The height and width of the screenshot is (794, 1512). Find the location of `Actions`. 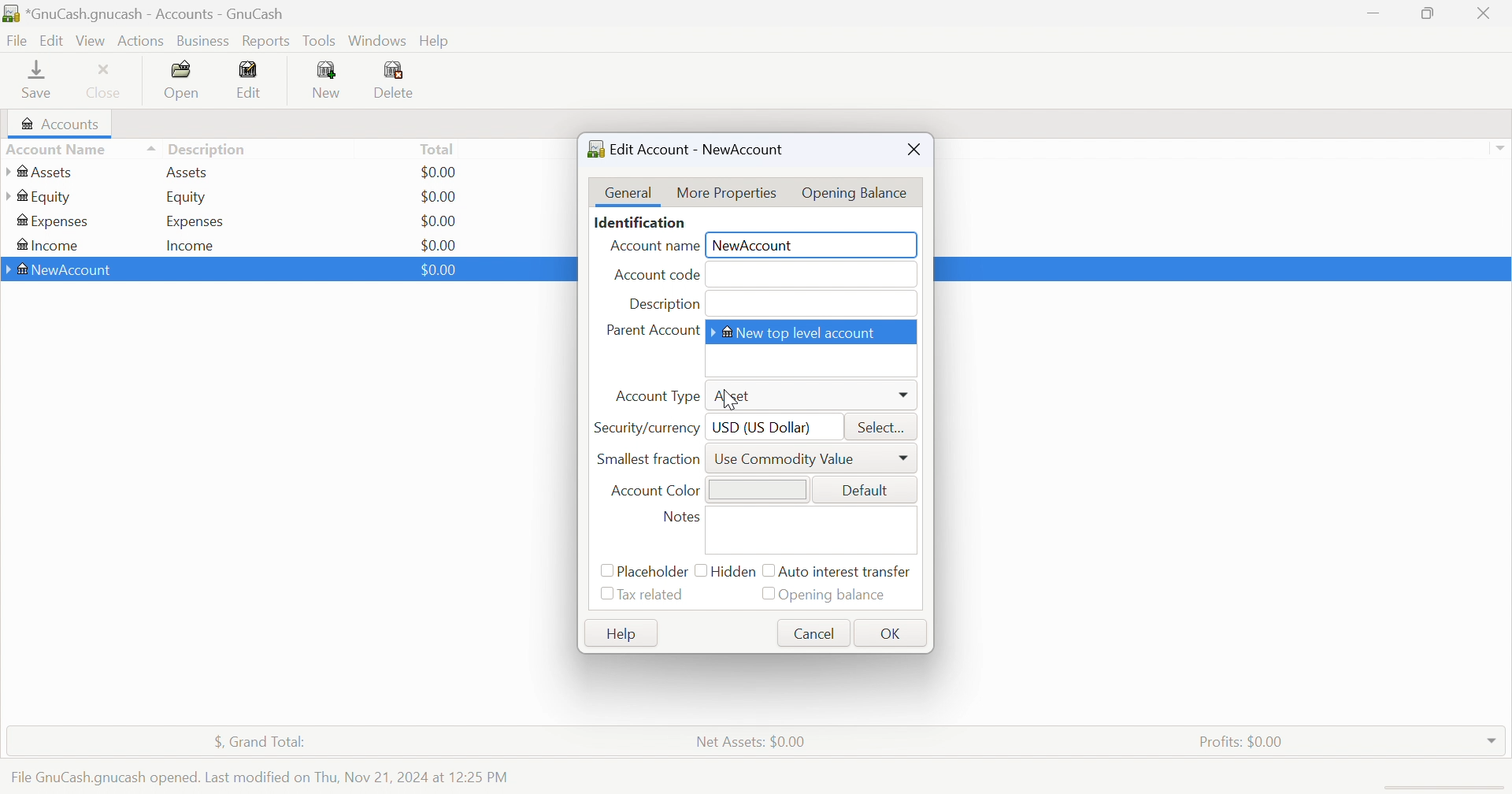

Actions is located at coordinates (141, 41).